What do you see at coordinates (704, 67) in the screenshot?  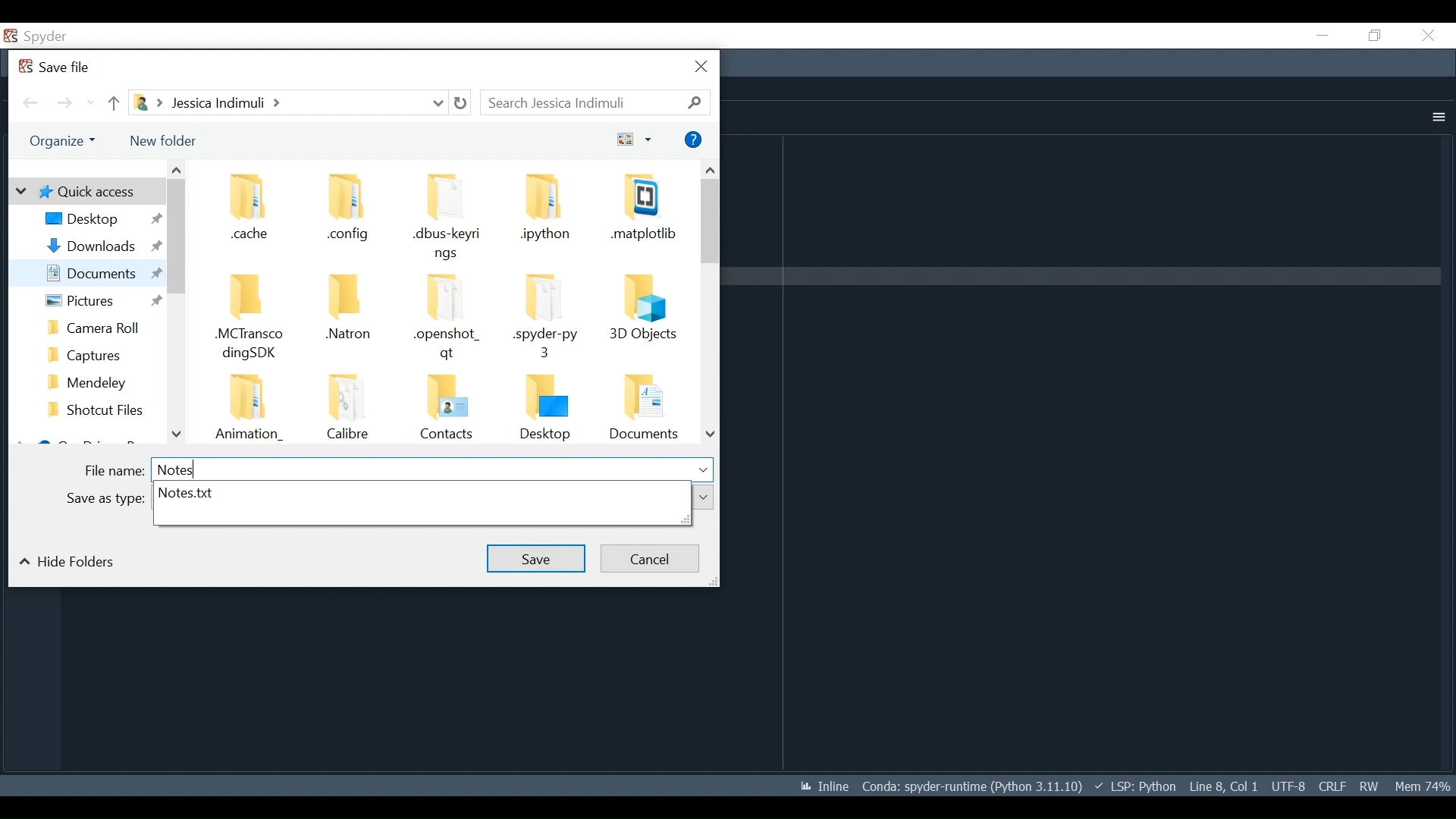 I see `Close` at bounding box center [704, 67].